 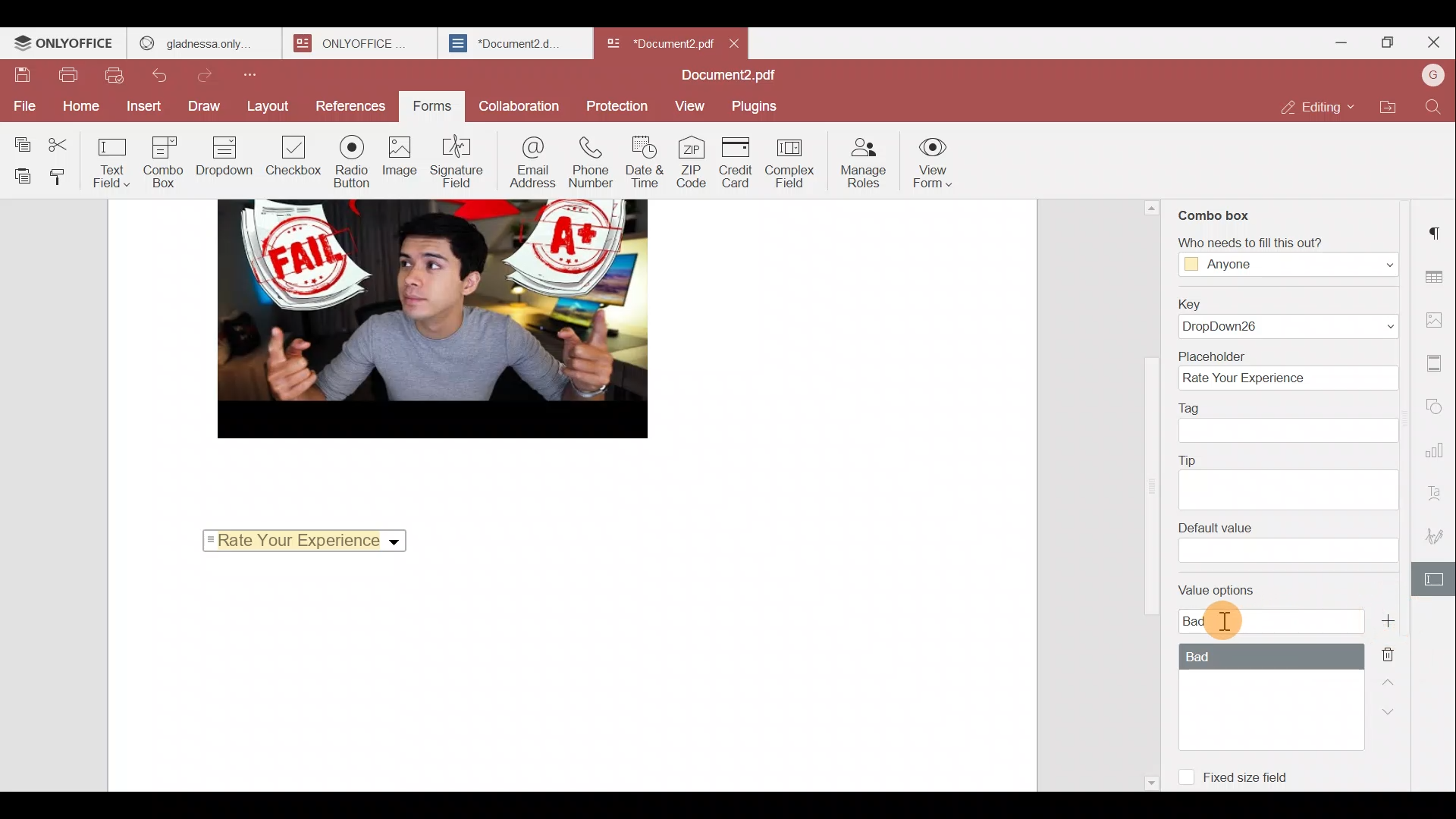 I want to click on ZIP code, so click(x=692, y=164).